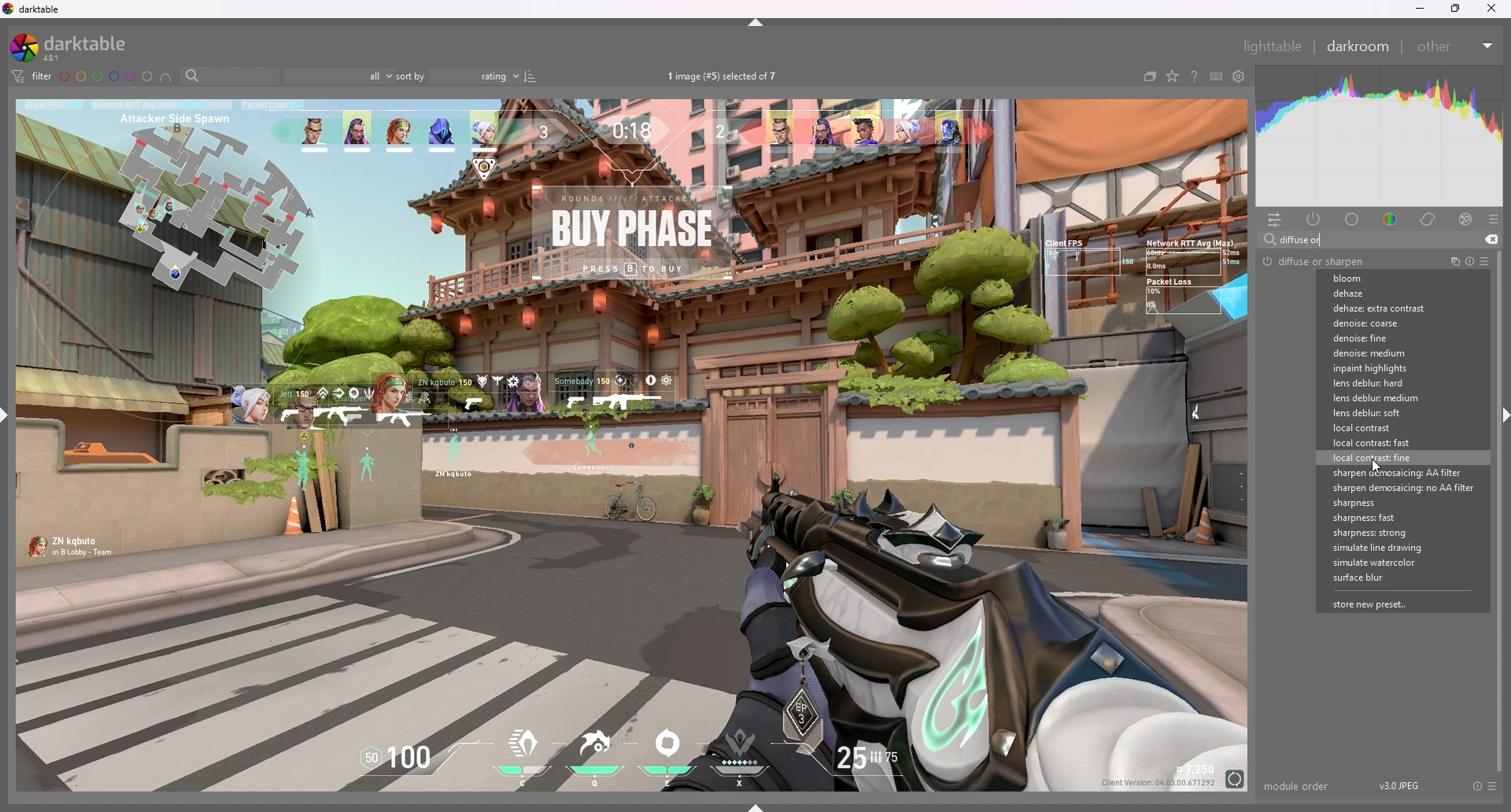 The image size is (1511, 812). Describe the element at coordinates (1491, 10) in the screenshot. I see `close` at that location.